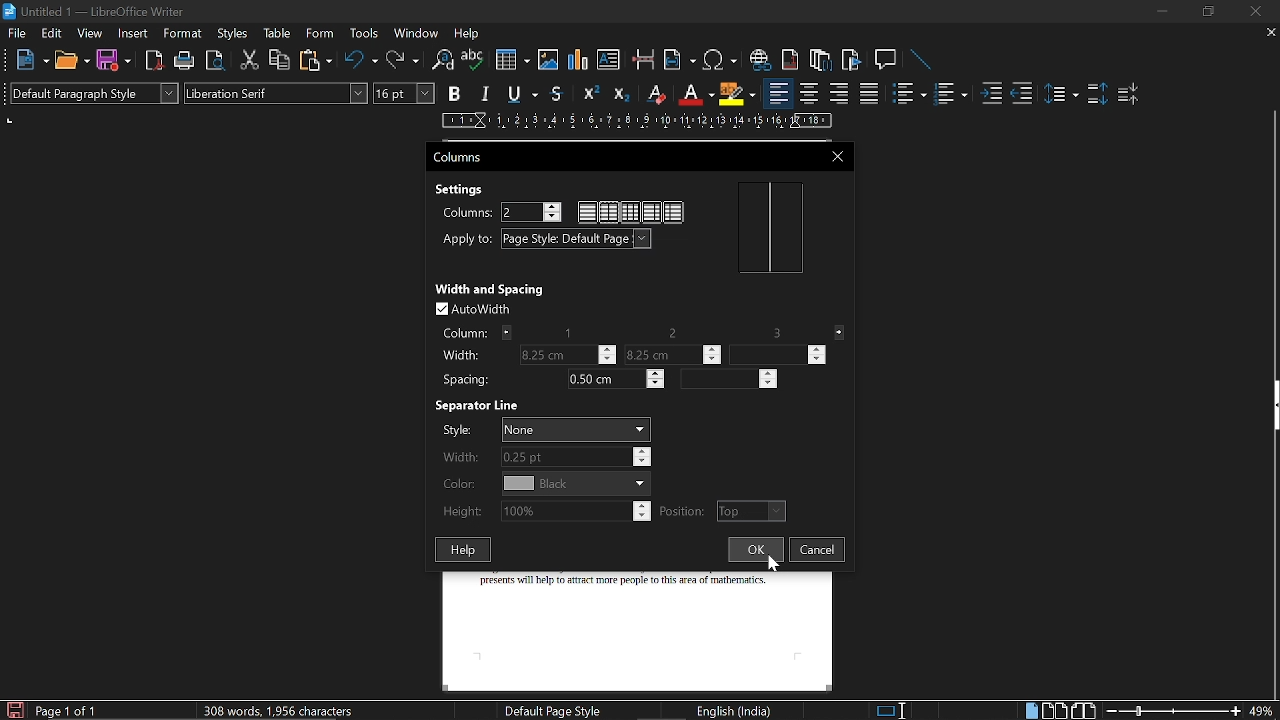 The height and width of the screenshot is (720, 1280). I want to click on Width column 2, so click(675, 356).